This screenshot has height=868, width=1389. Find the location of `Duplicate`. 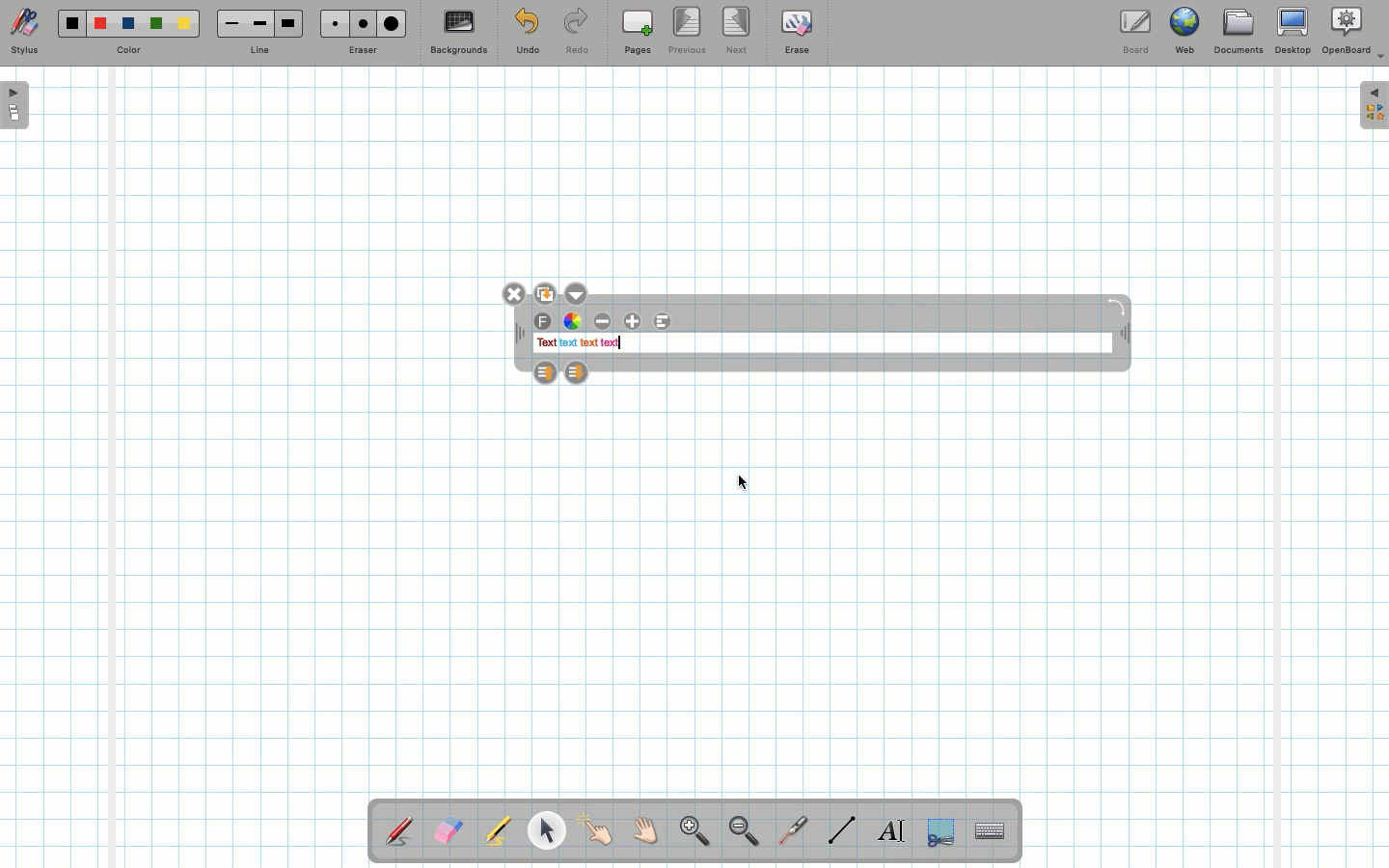

Duplicate is located at coordinates (544, 291).